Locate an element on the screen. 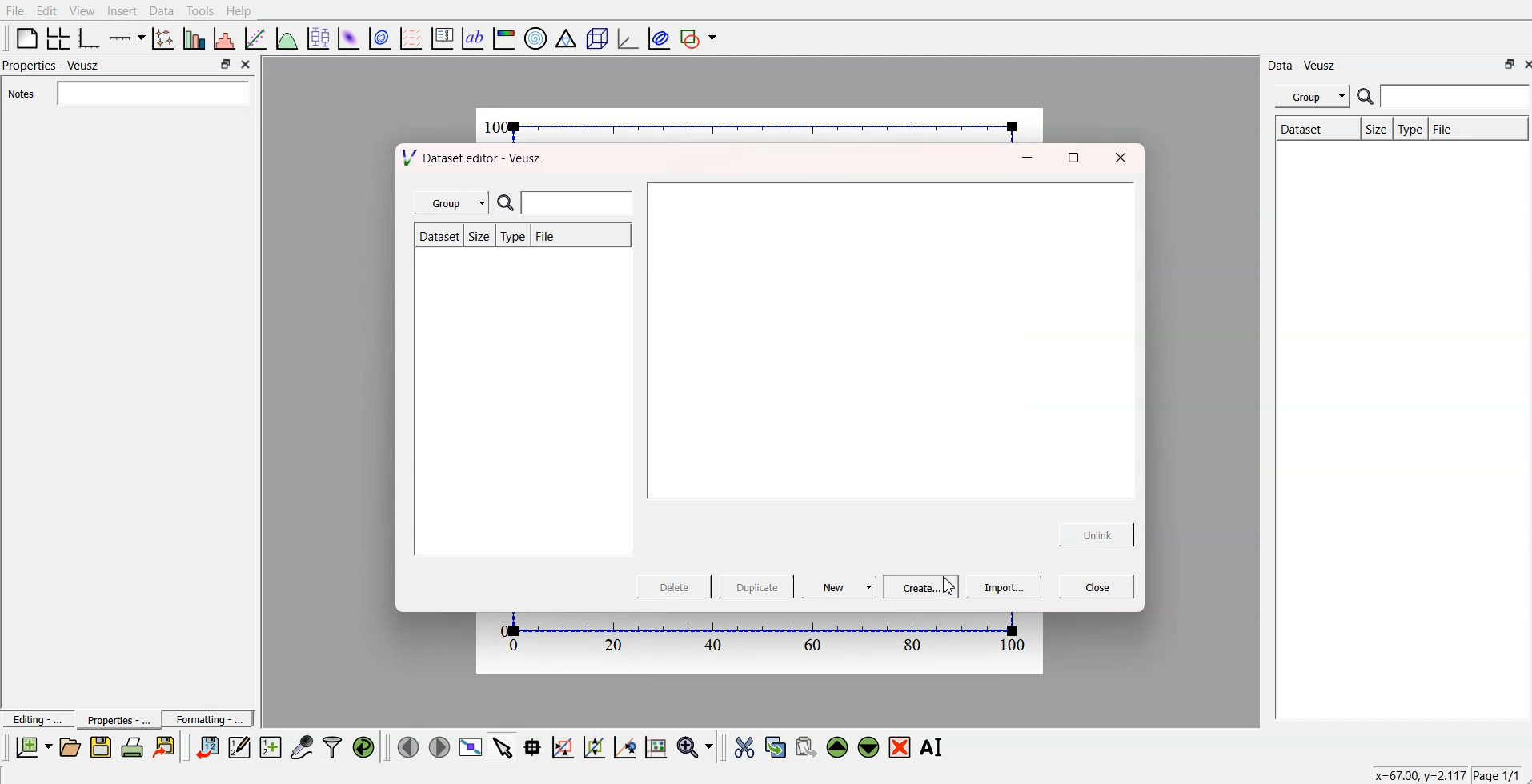  plot bar graphs is located at coordinates (195, 38).